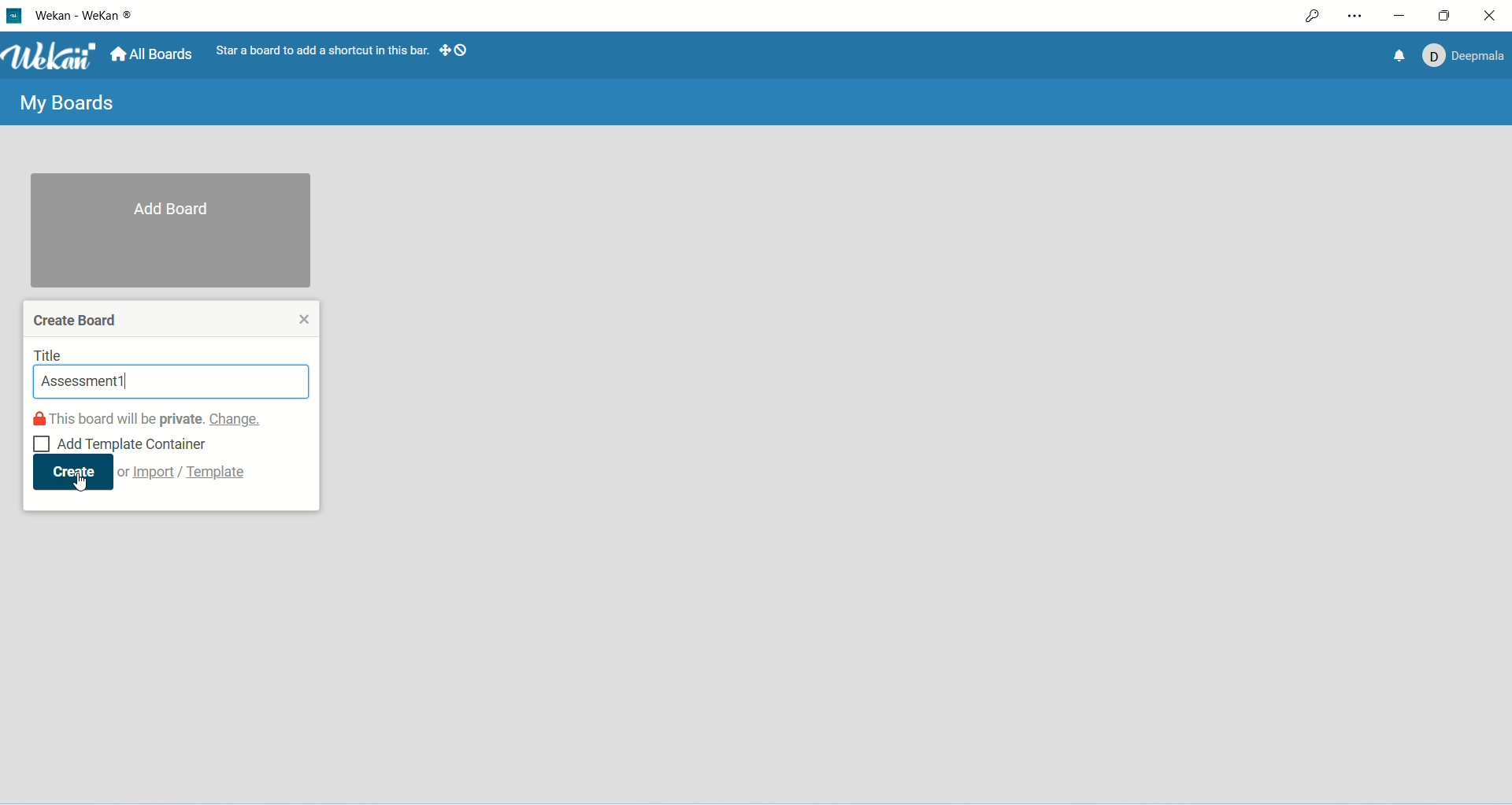 Image resolution: width=1512 pixels, height=805 pixels. Describe the element at coordinates (463, 50) in the screenshot. I see `show-desktop-drag-handles` at that location.